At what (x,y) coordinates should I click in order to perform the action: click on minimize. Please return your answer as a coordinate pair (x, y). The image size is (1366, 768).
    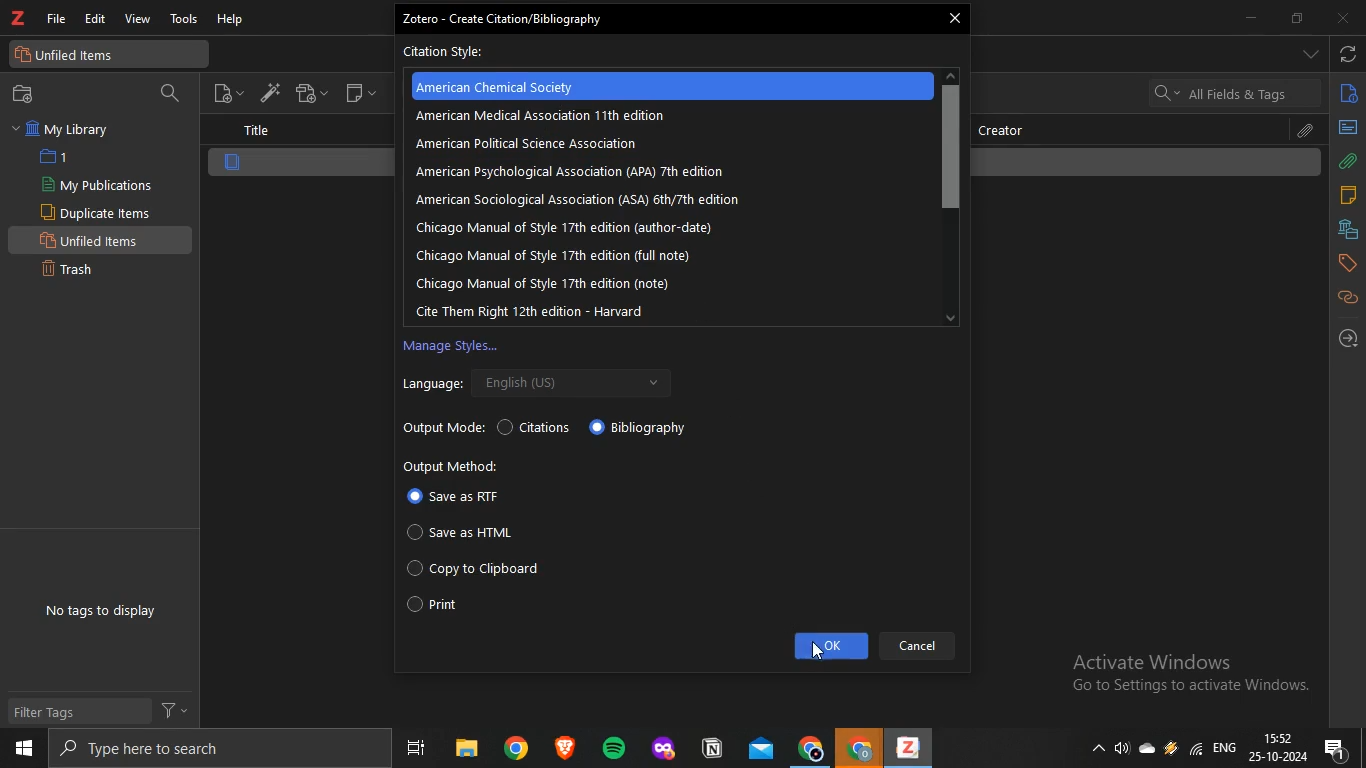
    Looking at the image, I should click on (1255, 19).